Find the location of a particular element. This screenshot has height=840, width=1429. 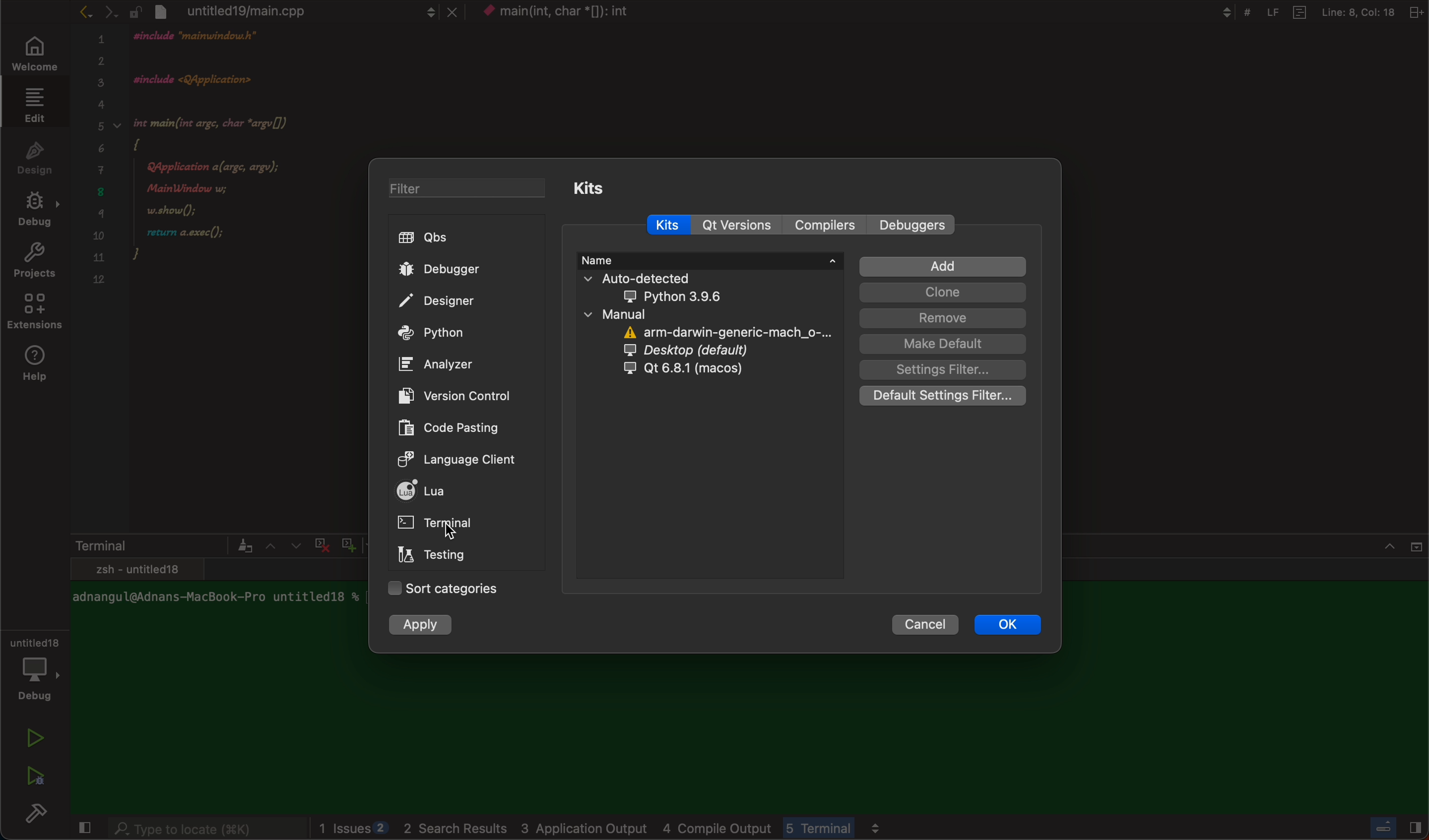

code pasting is located at coordinates (441, 427).